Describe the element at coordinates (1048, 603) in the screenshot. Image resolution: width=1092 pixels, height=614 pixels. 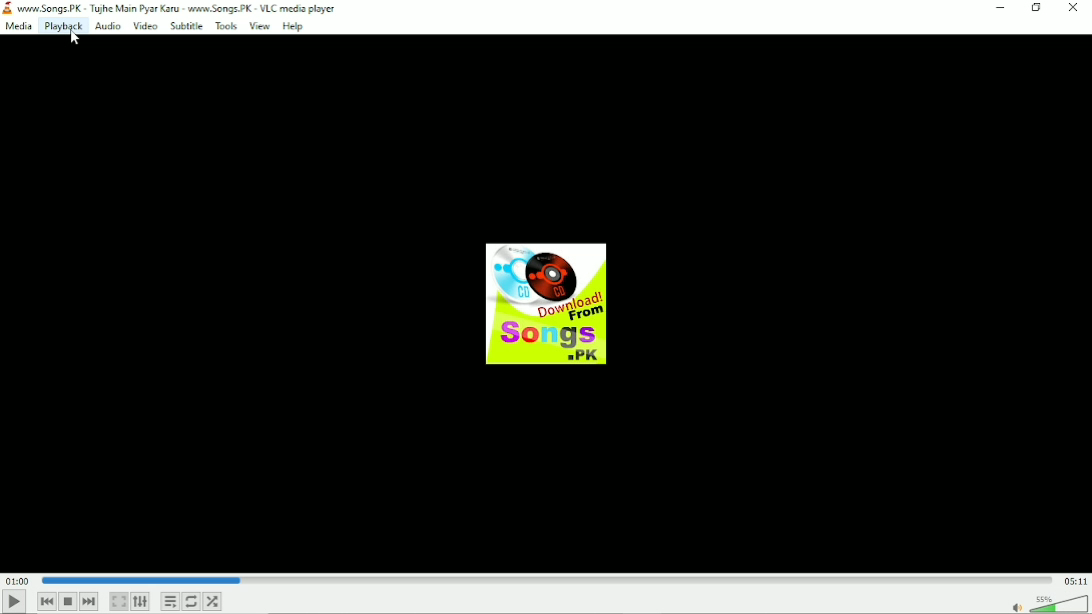
I see `Volume` at that location.